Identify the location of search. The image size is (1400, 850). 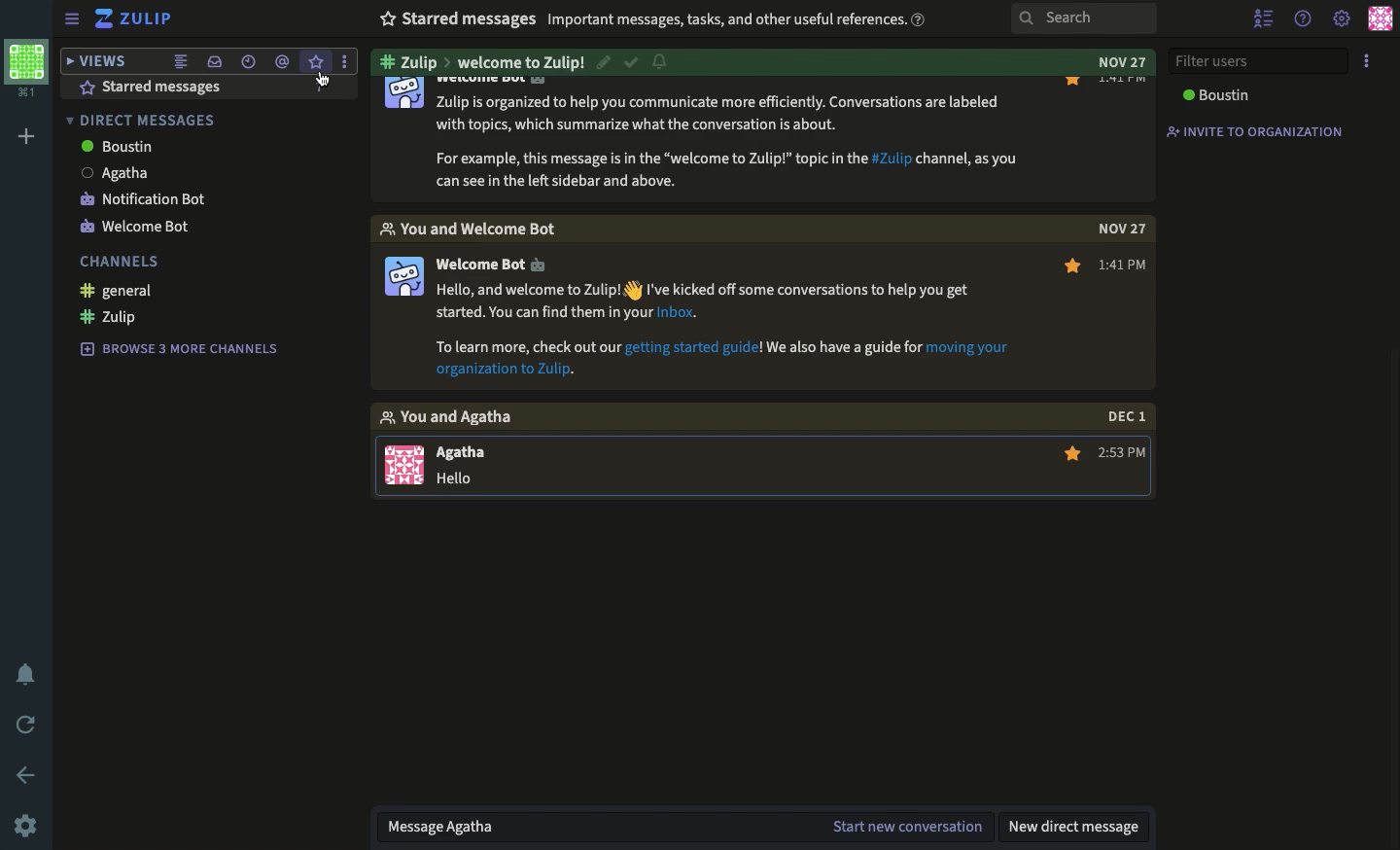
(1078, 18).